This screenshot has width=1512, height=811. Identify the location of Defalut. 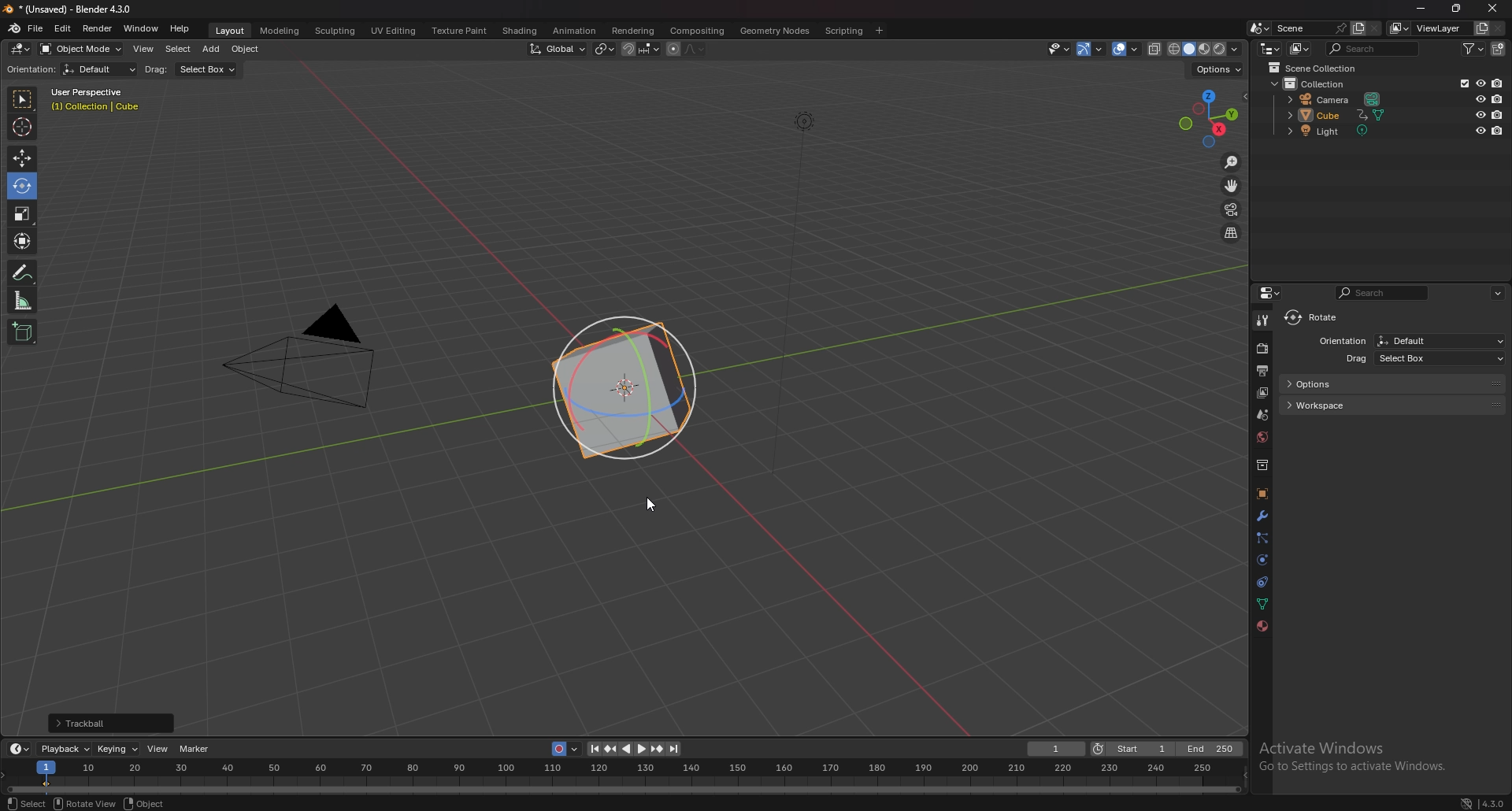
(1440, 340).